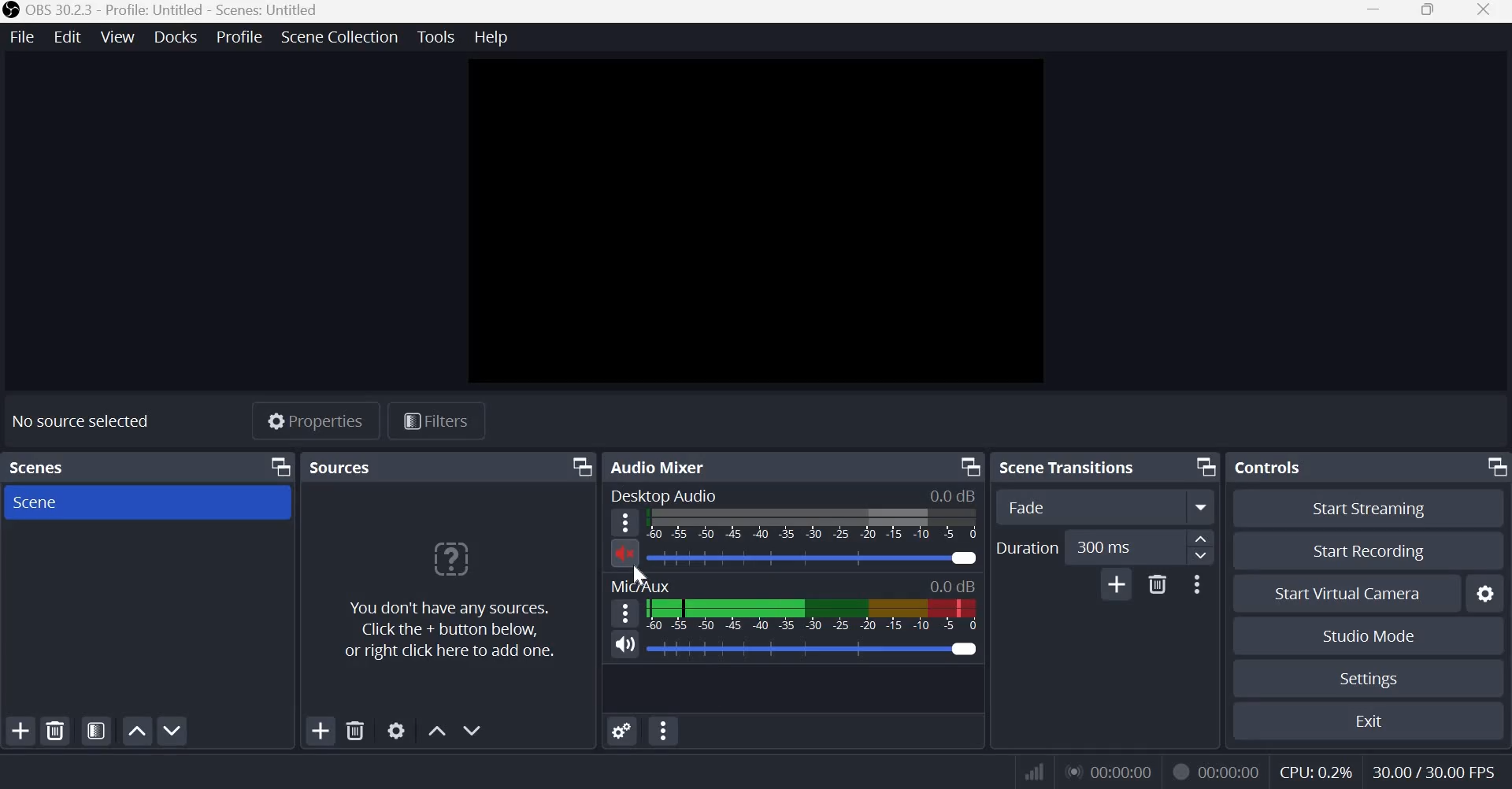 This screenshot has height=789, width=1512. Describe the element at coordinates (812, 615) in the screenshot. I see `Volume Meter` at that location.